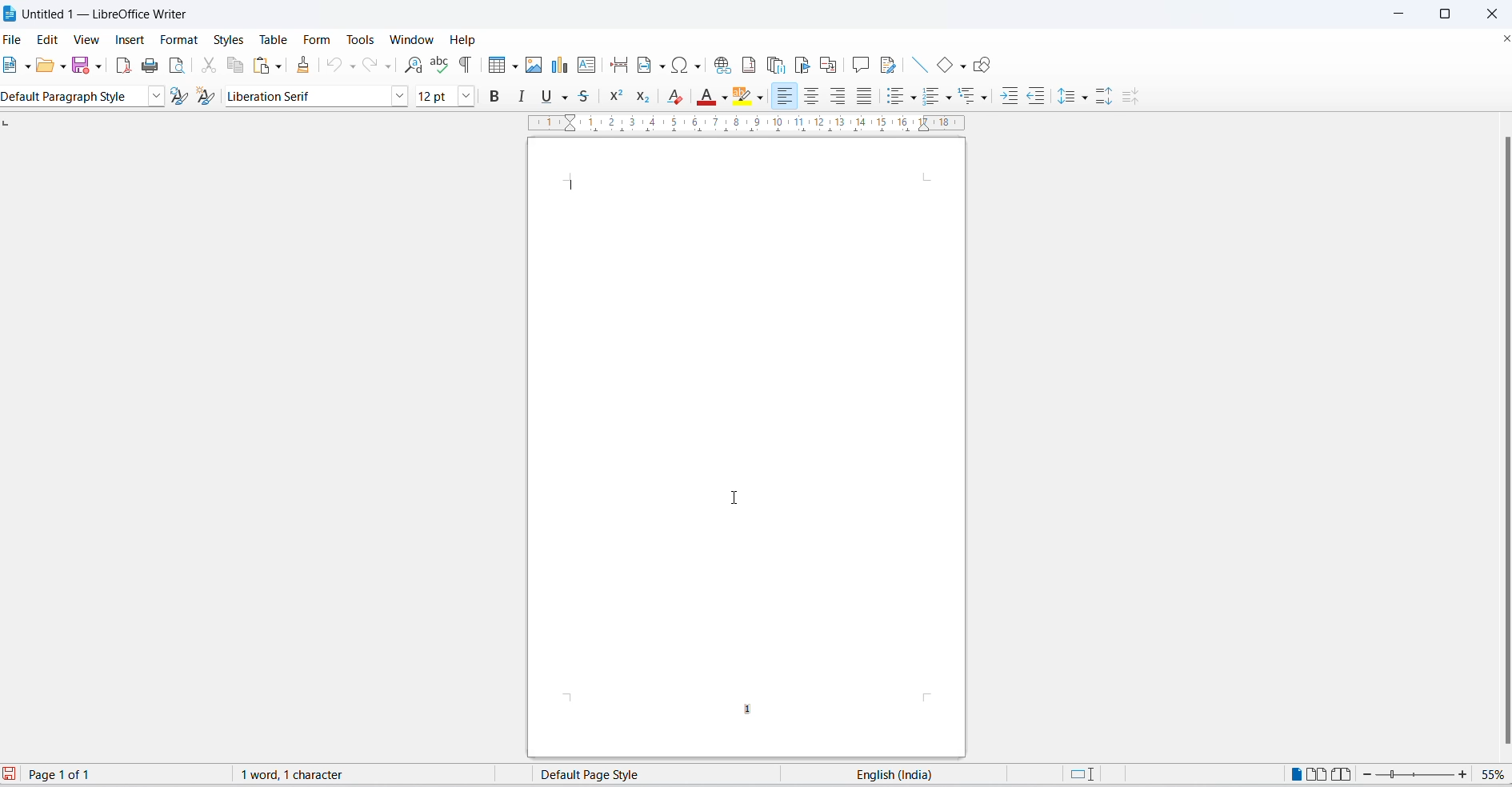 This screenshot has height=787, width=1512. I want to click on insert endnote, so click(776, 66).